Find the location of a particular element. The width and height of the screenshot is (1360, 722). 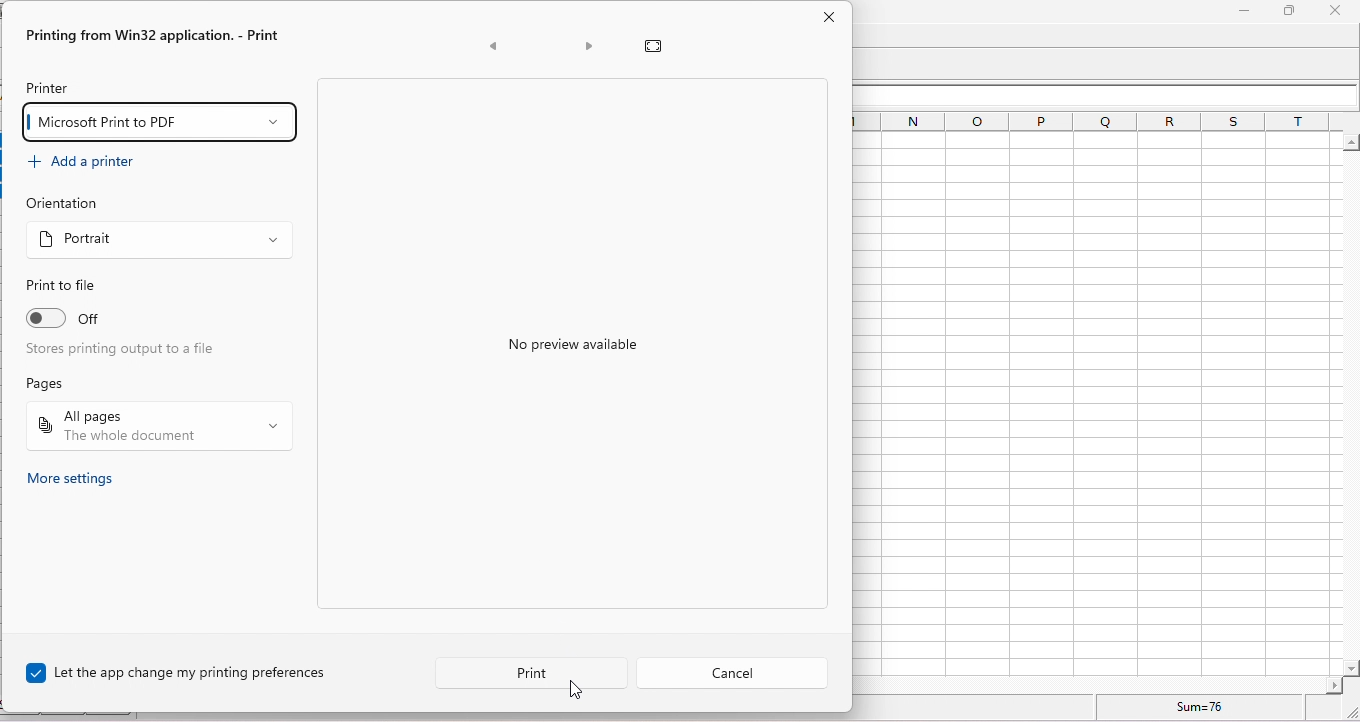

expand is located at coordinates (1345, 711).